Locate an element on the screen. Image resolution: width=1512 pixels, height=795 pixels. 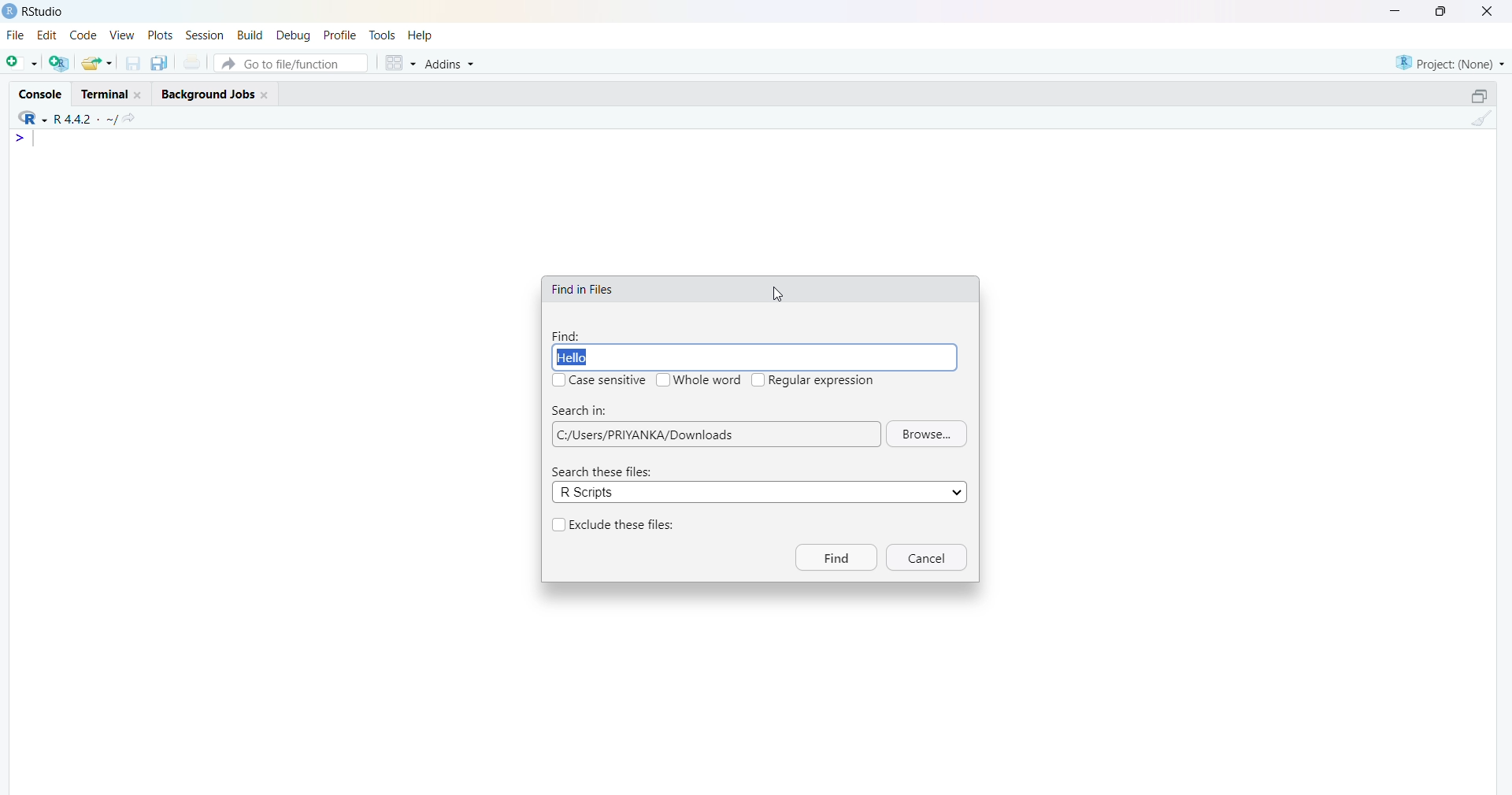
go to file/function is located at coordinates (292, 63).